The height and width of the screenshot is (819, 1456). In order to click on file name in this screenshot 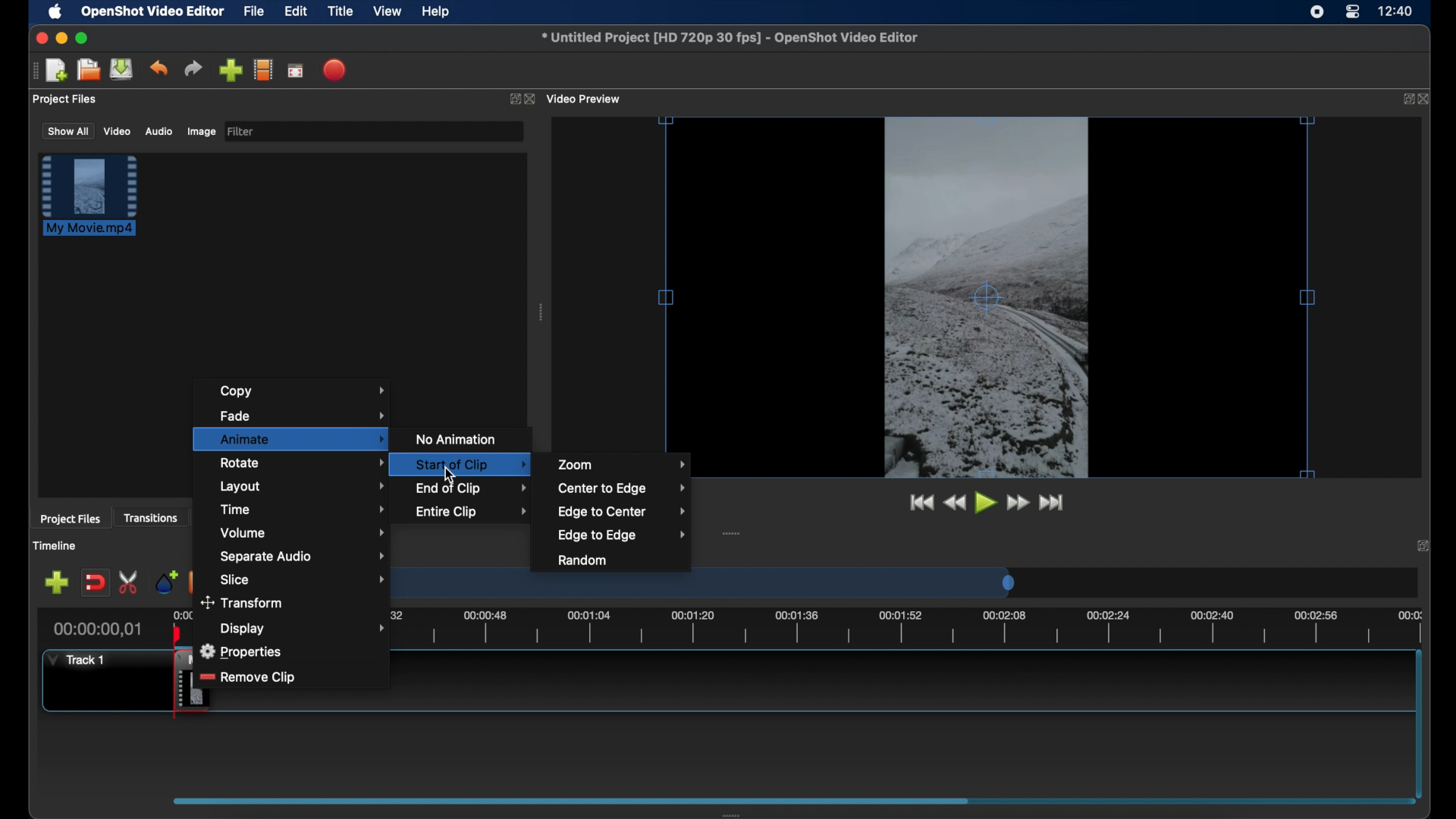, I will do `click(730, 37)`.